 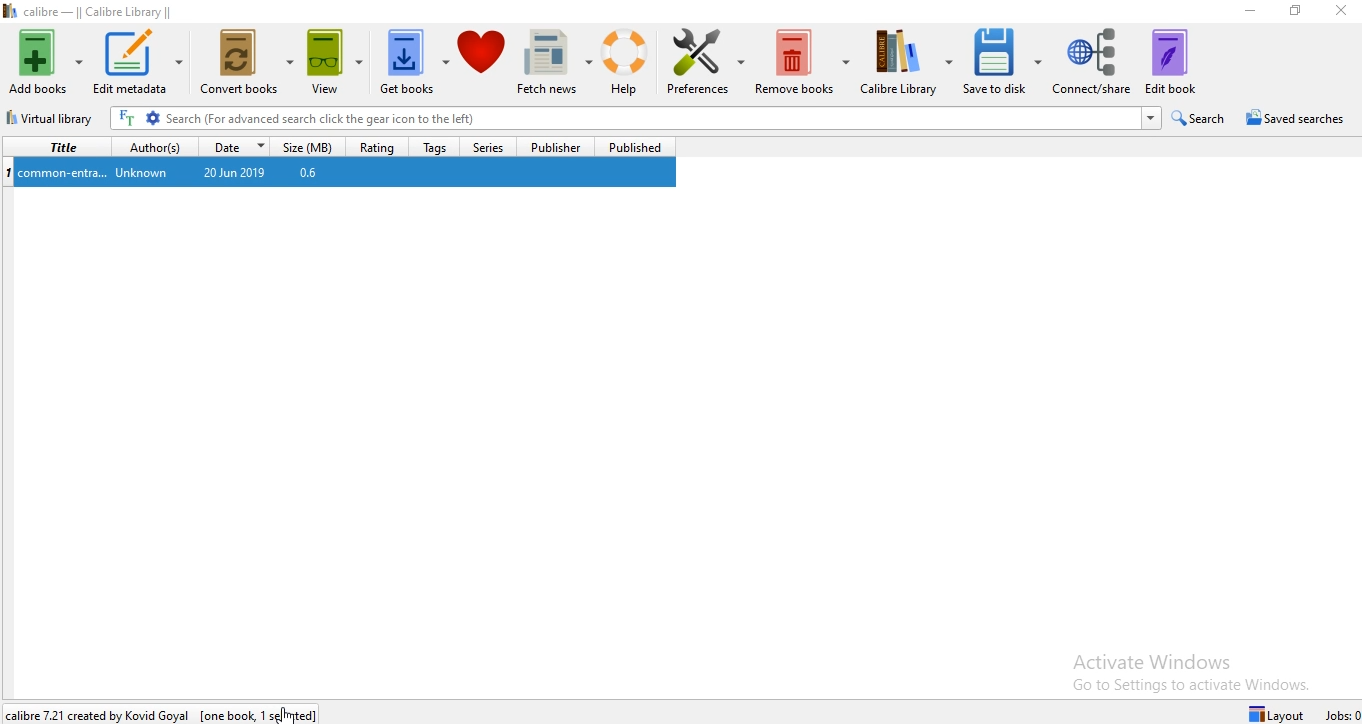 What do you see at coordinates (554, 67) in the screenshot?
I see `Fetch news` at bounding box center [554, 67].